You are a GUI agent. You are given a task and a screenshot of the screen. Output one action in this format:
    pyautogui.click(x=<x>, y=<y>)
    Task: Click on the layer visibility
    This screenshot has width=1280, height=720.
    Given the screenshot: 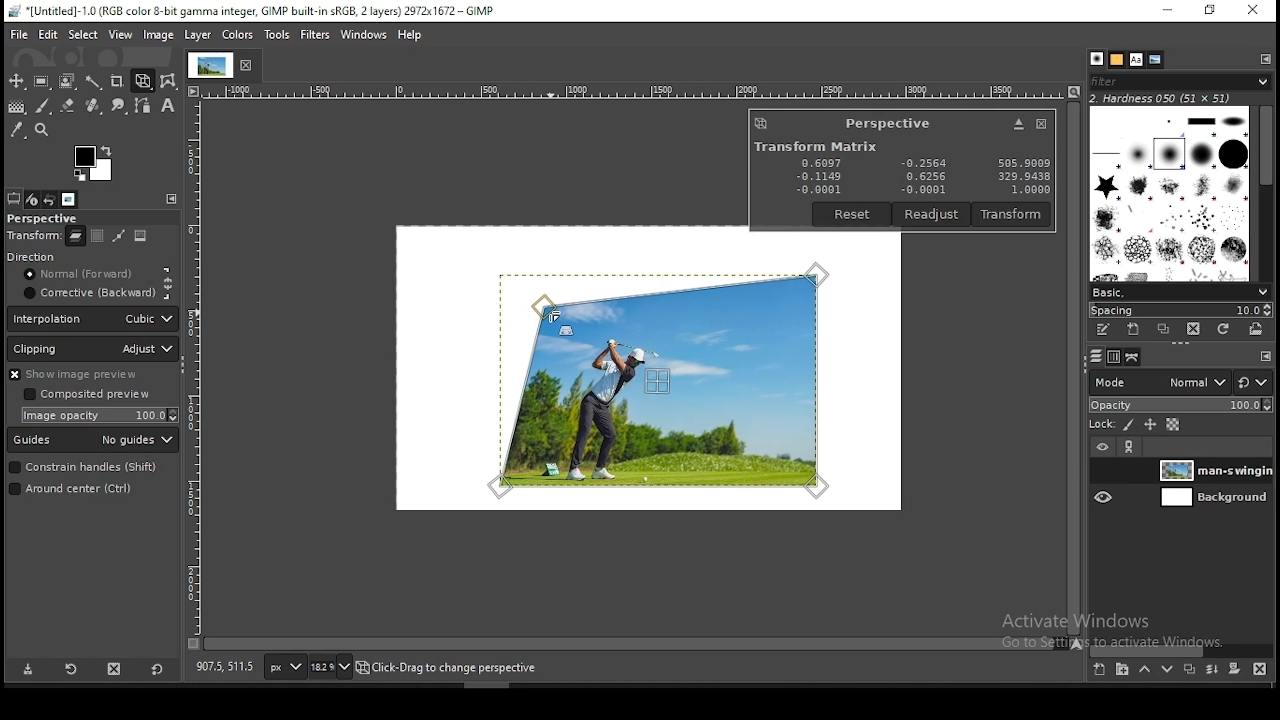 What is the action you would take?
    pyautogui.click(x=1102, y=448)
    